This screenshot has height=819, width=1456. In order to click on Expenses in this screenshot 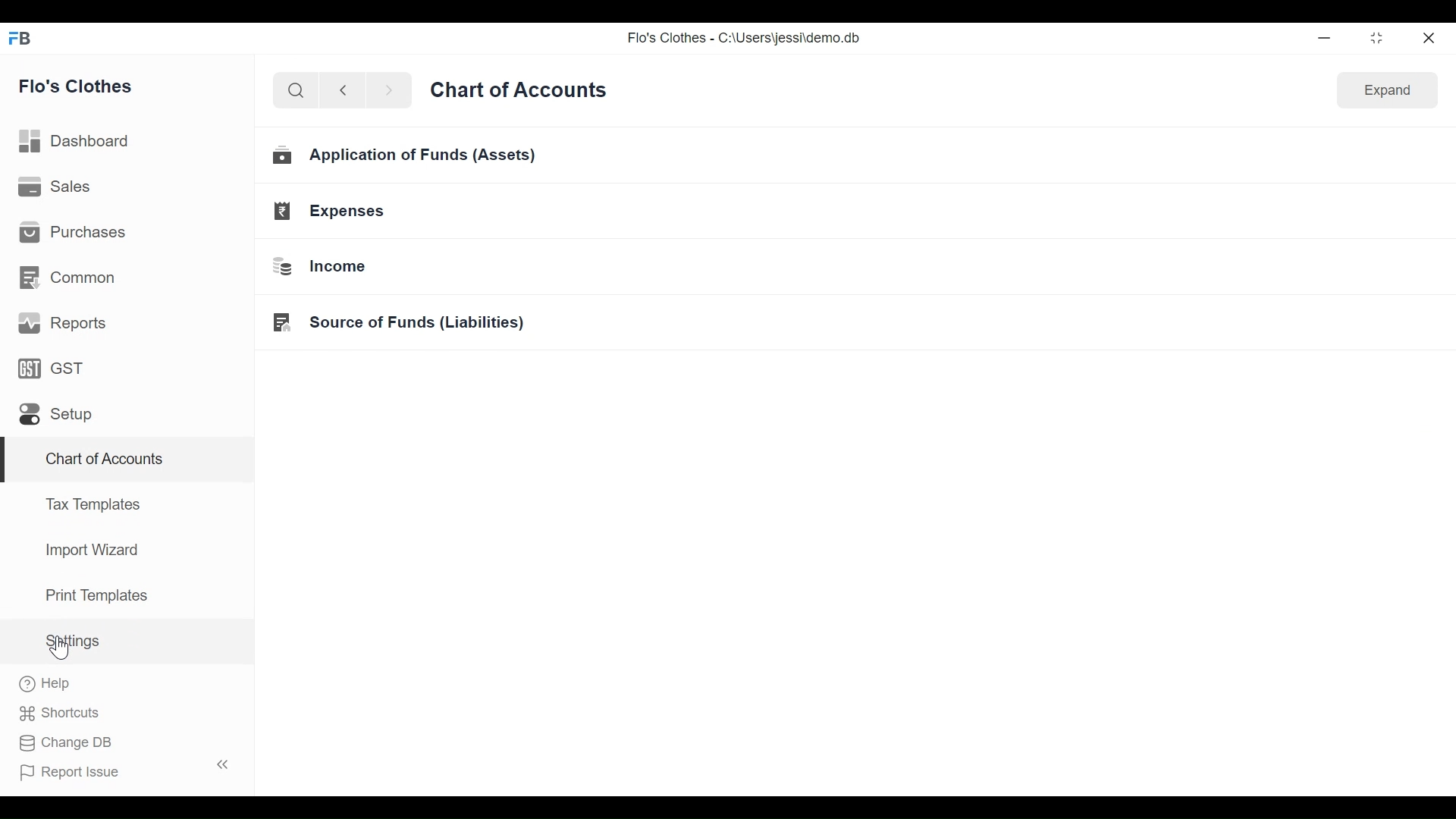, I will do `click(331, 212)`.